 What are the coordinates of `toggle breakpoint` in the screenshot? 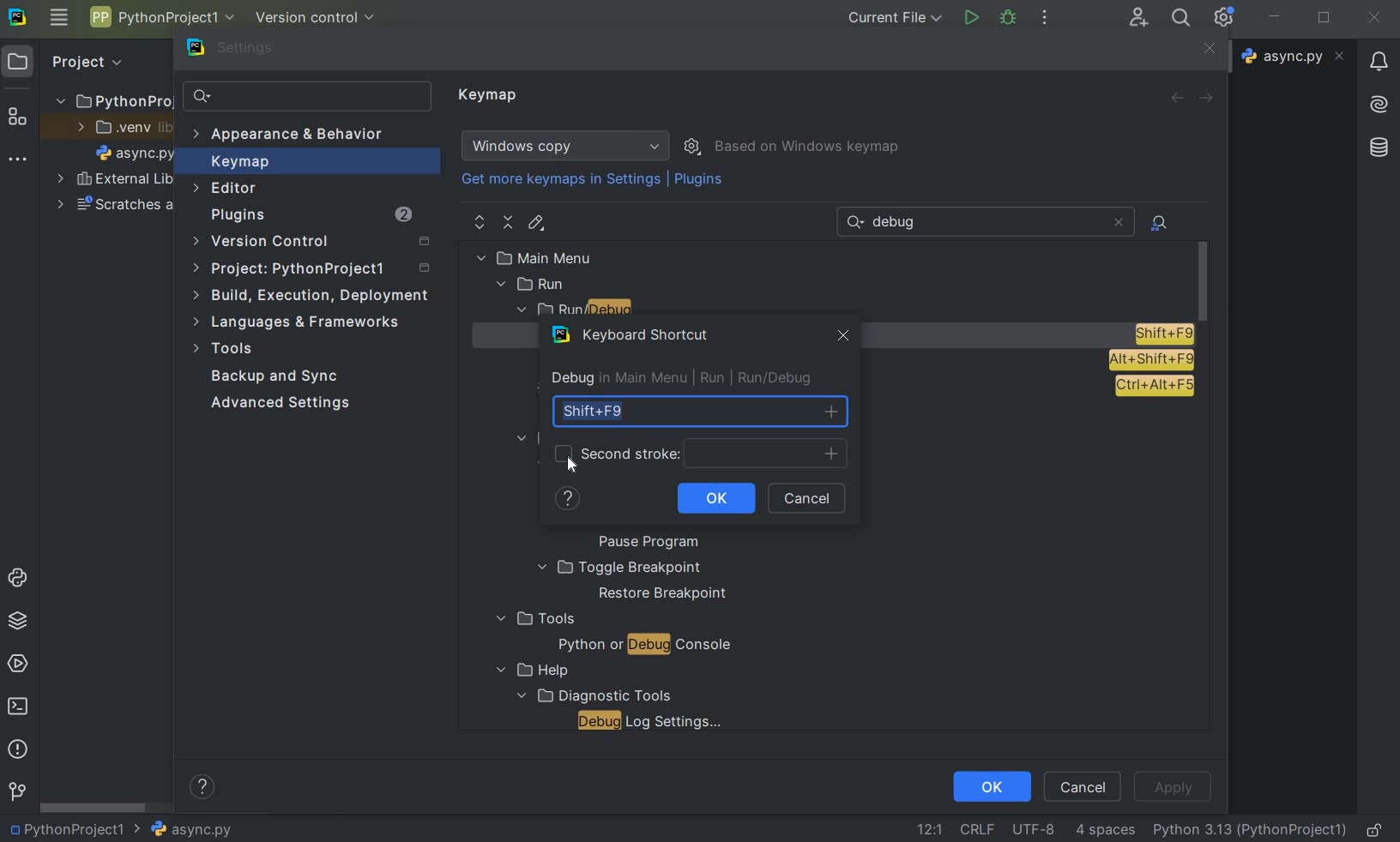 It's located at (619, 568).